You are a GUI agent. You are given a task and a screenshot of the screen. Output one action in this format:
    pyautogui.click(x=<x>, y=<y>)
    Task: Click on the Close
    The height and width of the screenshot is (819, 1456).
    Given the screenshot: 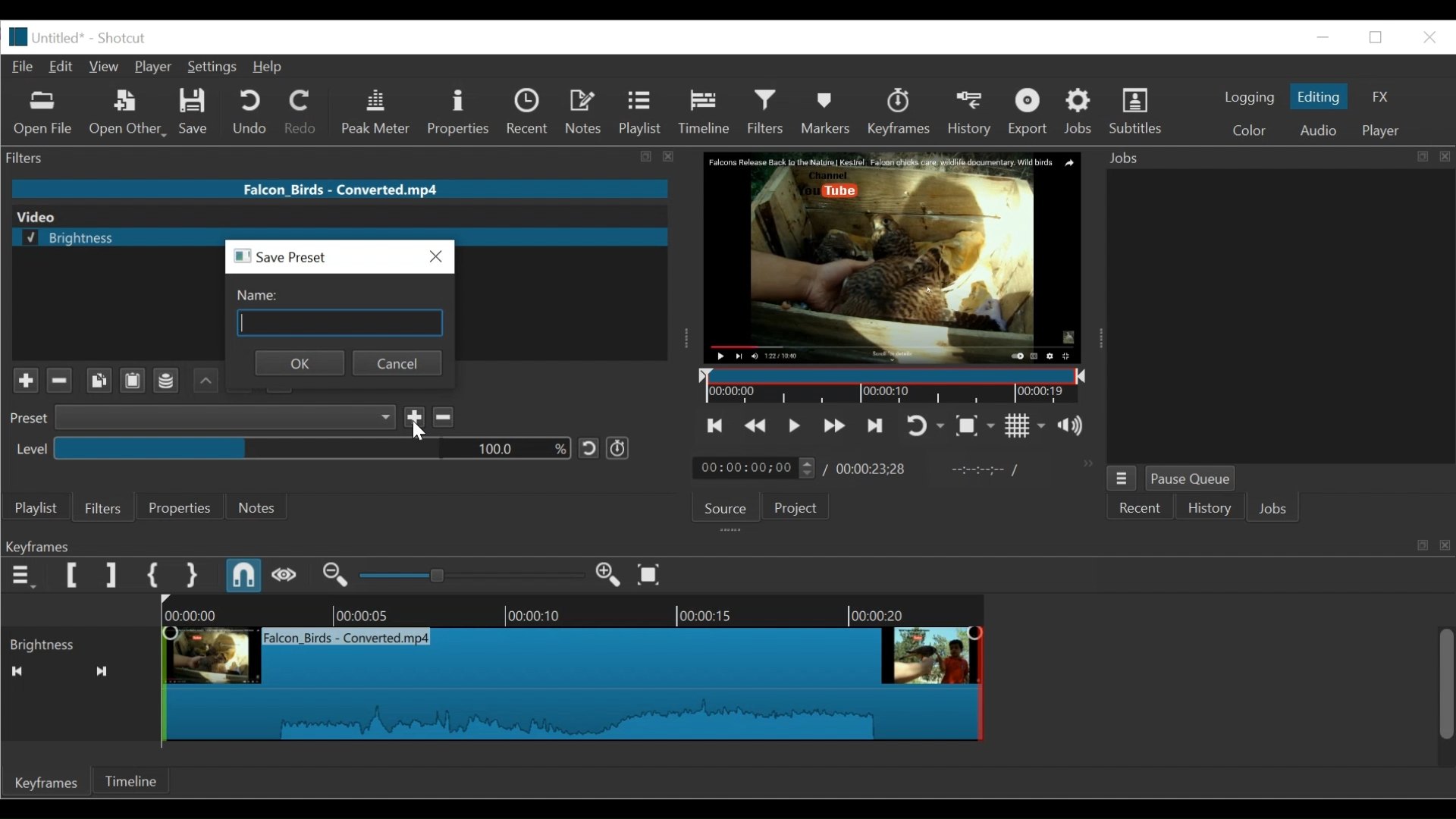 What is the action you would take?
    pyautogui.click(x=1429, y=38)
    